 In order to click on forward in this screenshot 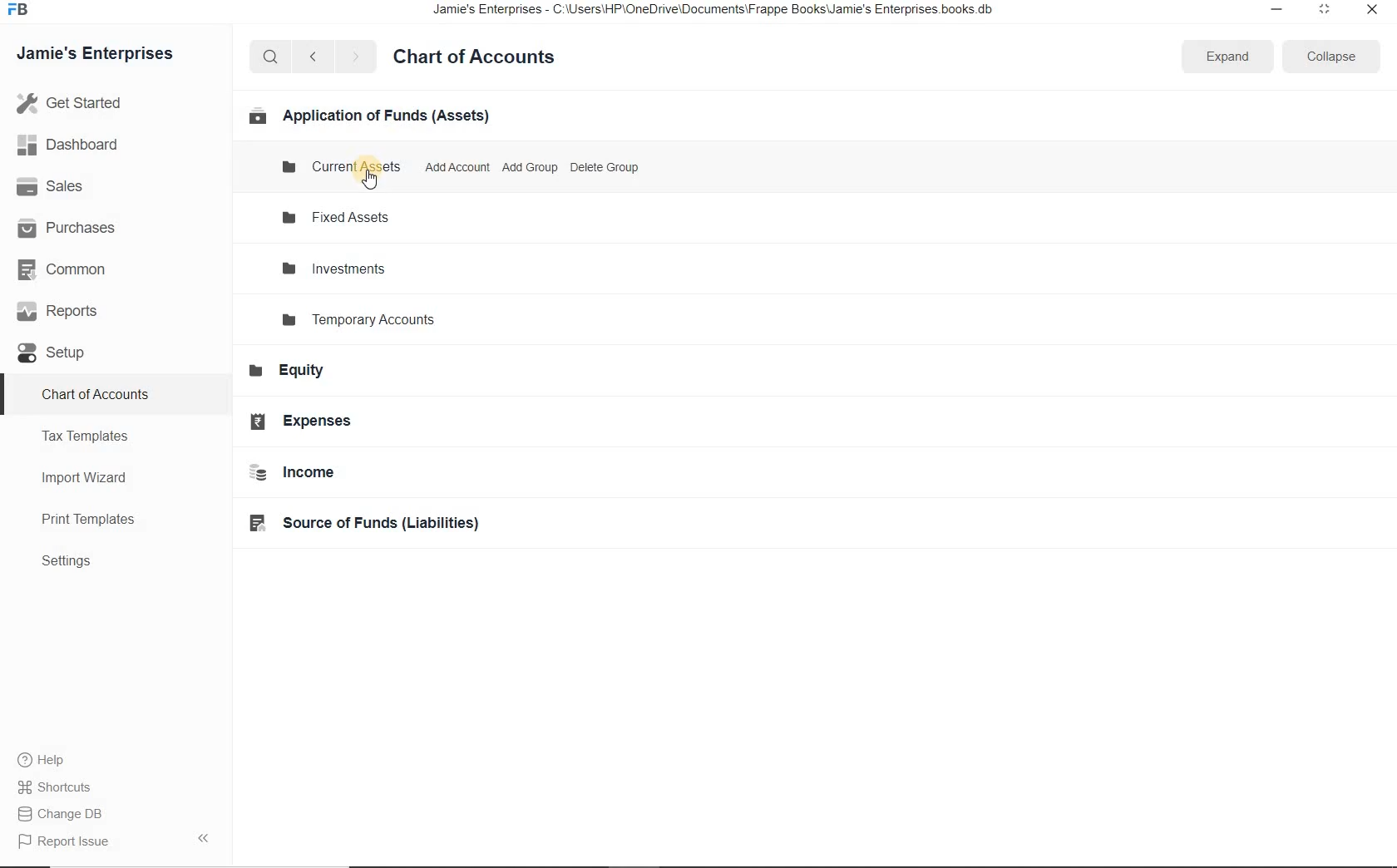, I will do `click(357, 57)`.